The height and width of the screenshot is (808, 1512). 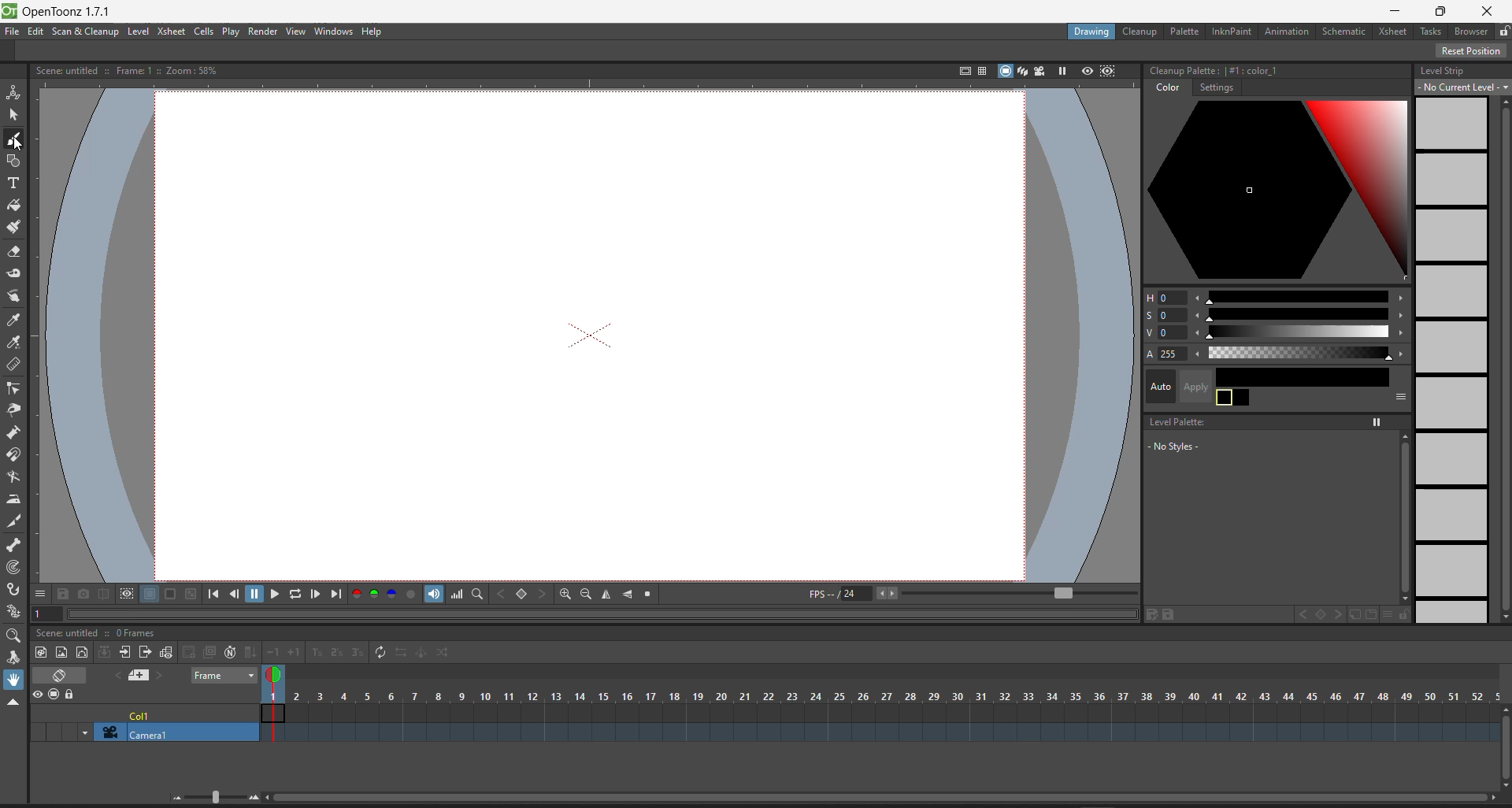 What do you see at coordinates (15, 635) in the screenshot?
I see `zoom tool` at bounding box center [15, 635].